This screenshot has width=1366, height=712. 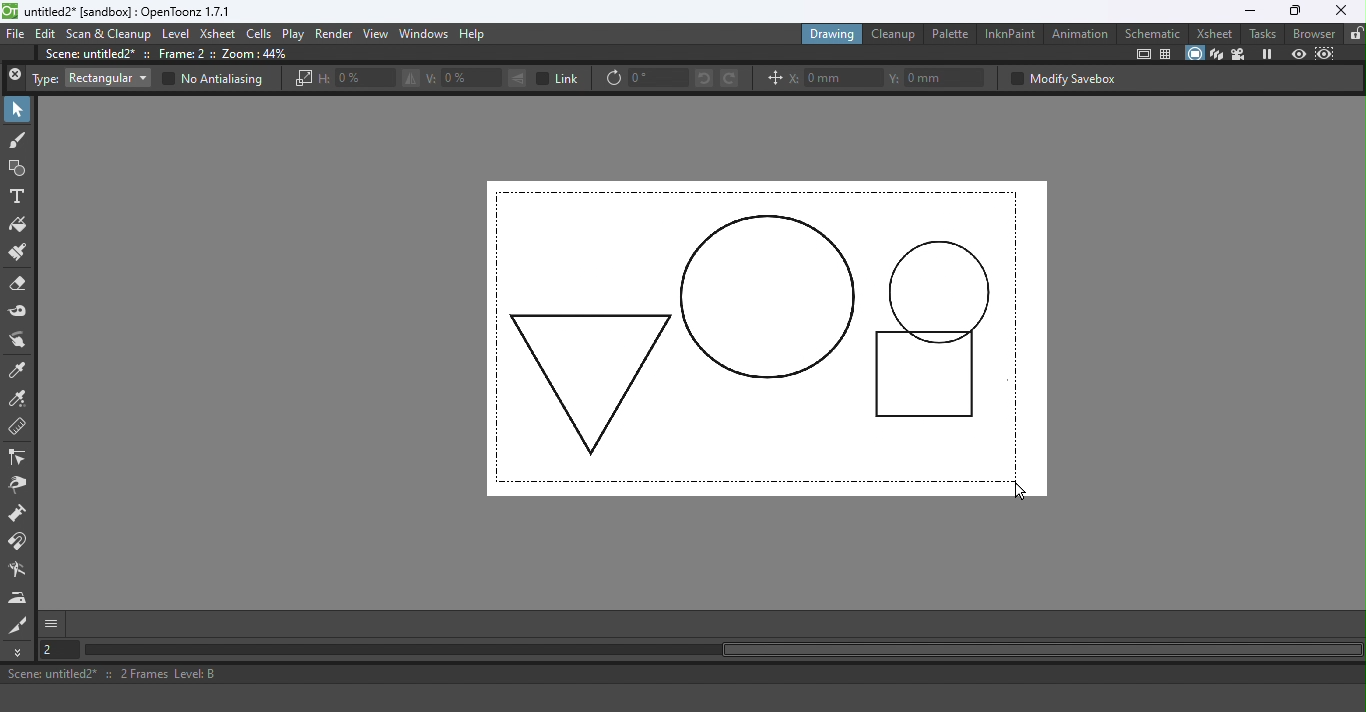 What do you see at coordinates (45, 79) in the screenshot?
I see `Type` at bounding box center [45, 79].